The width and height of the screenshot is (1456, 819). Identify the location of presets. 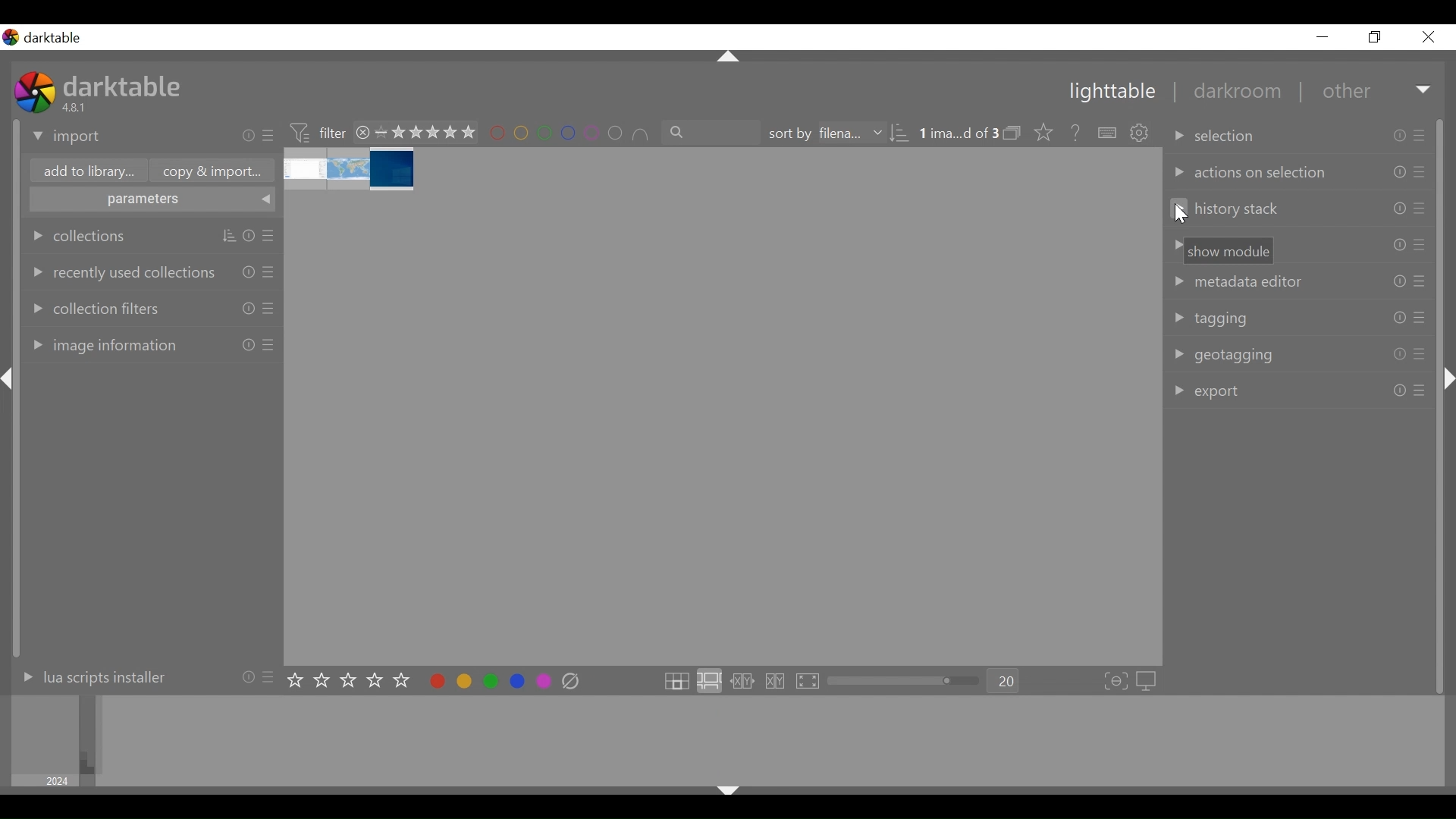
(270, 308).